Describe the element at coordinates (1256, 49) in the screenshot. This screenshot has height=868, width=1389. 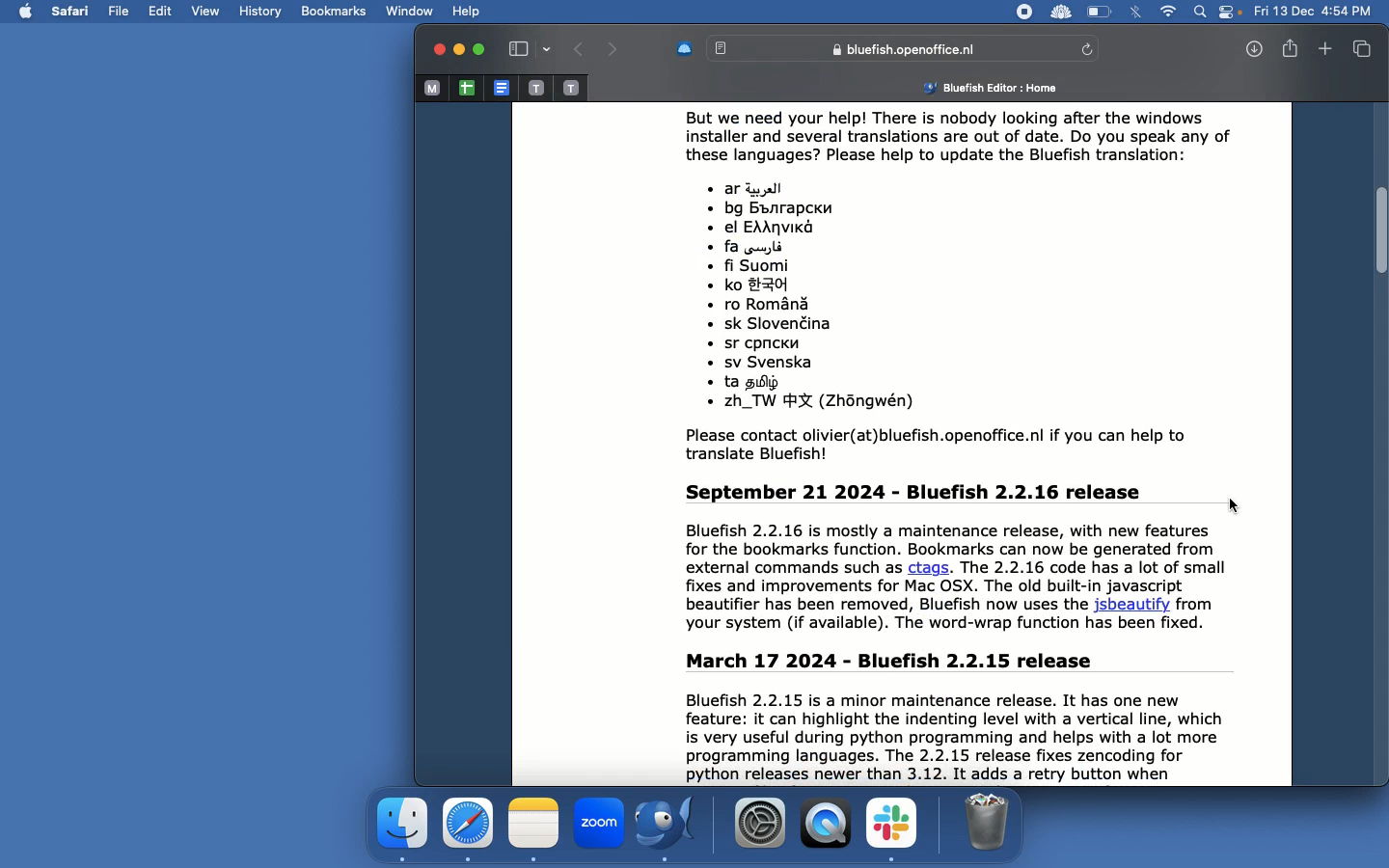
I see `Downloads` at that location.